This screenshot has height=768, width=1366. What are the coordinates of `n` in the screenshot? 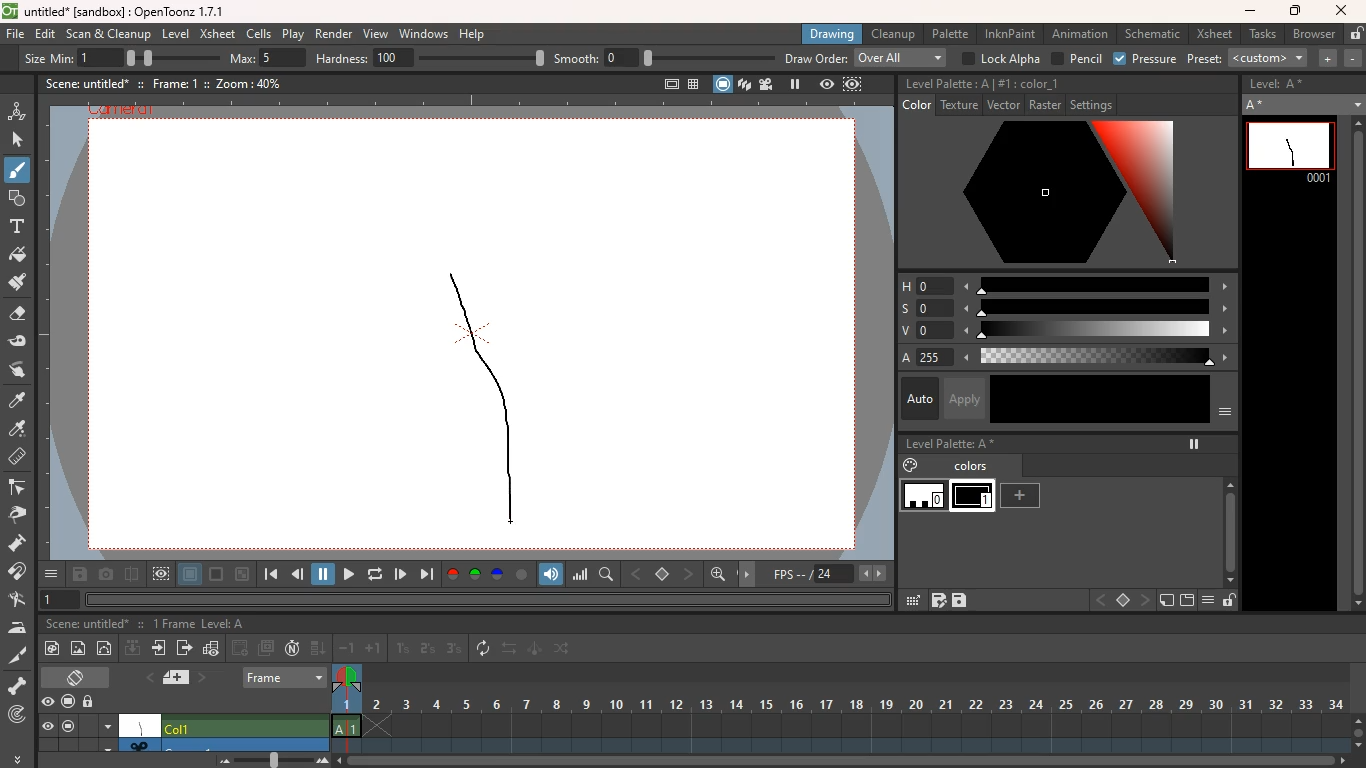 It's located at (292, 650).